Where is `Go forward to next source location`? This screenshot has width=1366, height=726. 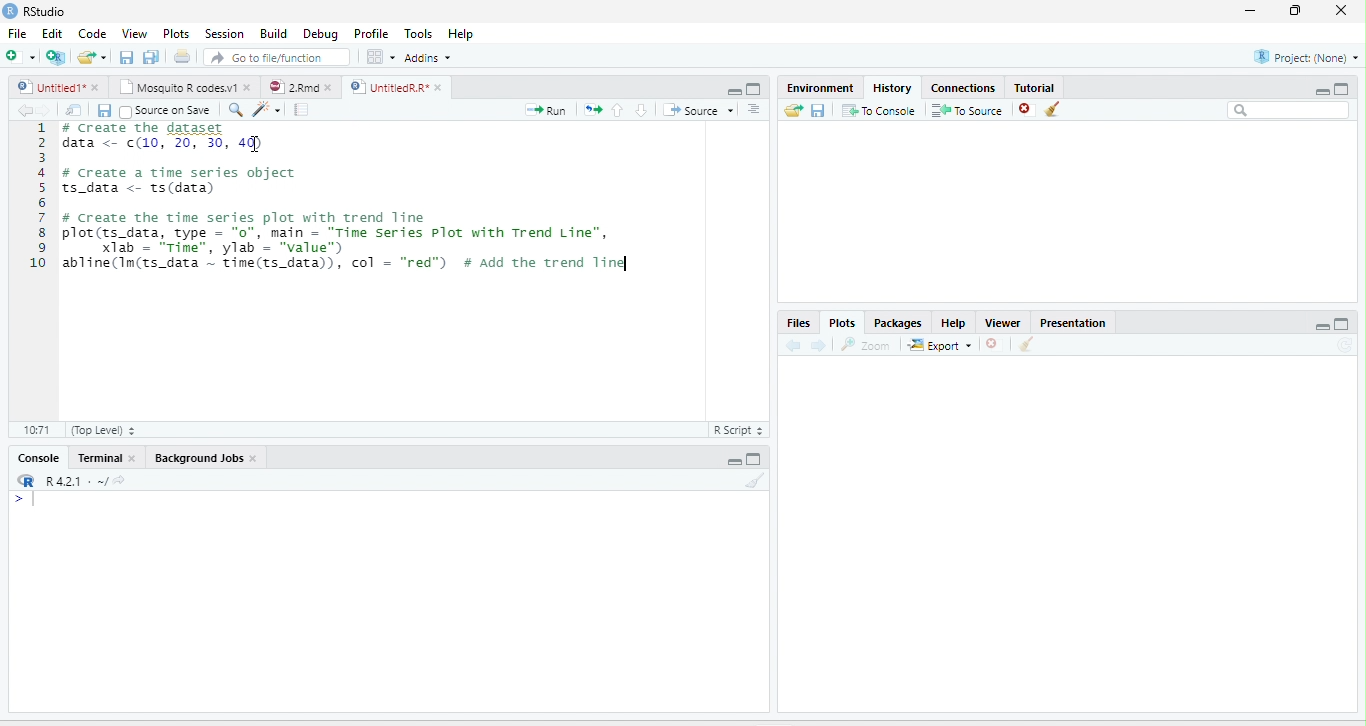
Go forward to next source location is located at coordinates (44, 110).